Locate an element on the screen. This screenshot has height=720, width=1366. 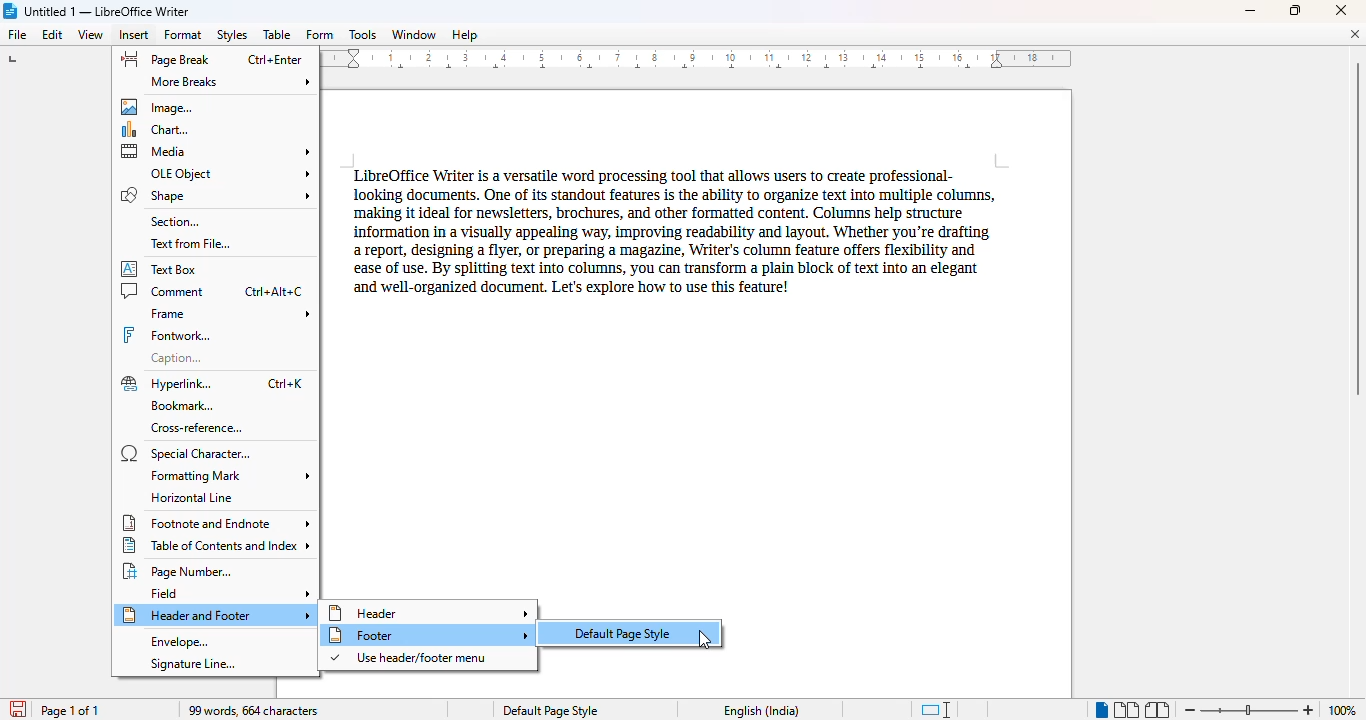
Default page style is located at coordinates (550, 711).